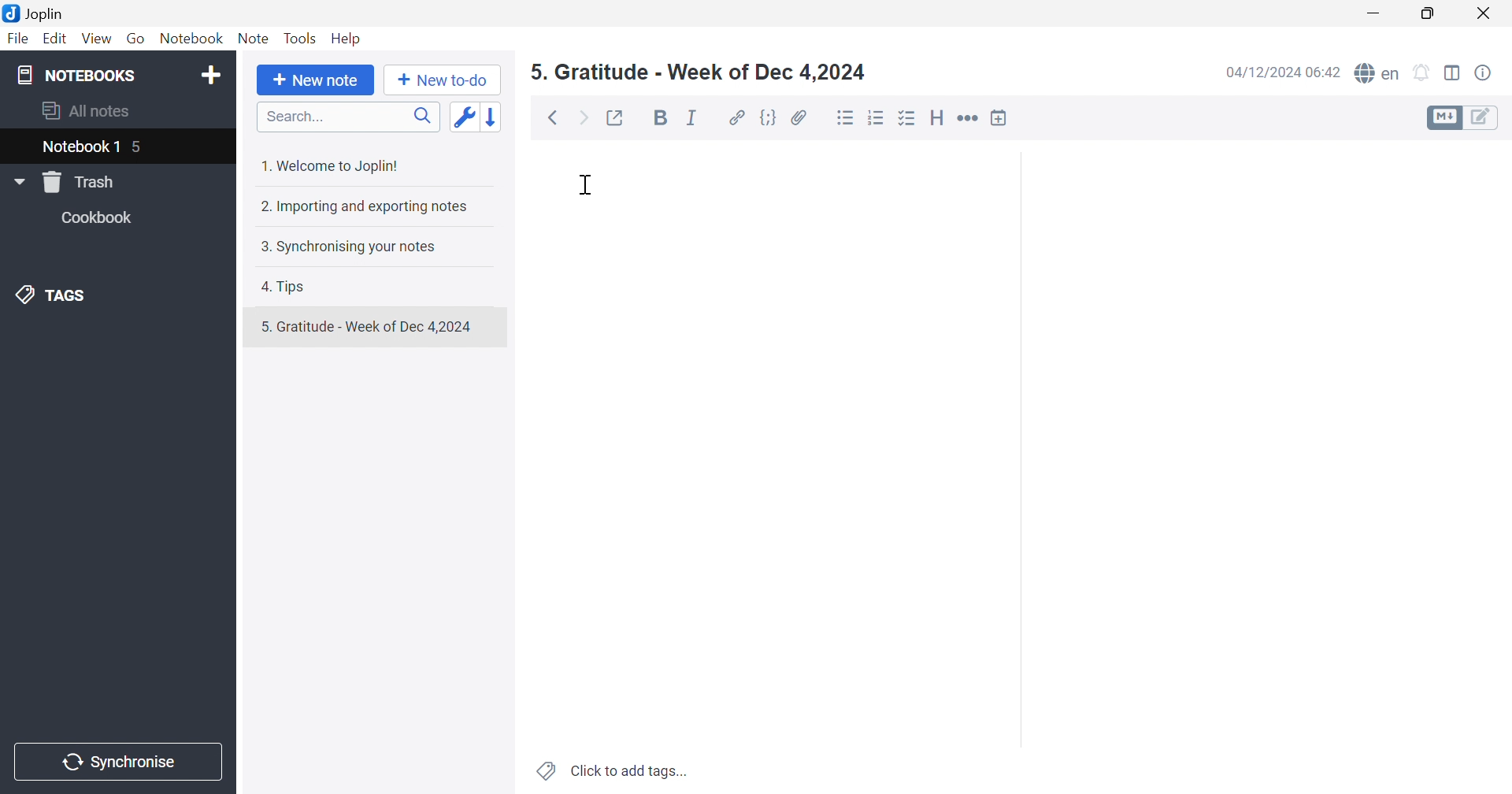  I want to click on 5. Gratitude  Week of Dec 4,2024, so click(698, 72).